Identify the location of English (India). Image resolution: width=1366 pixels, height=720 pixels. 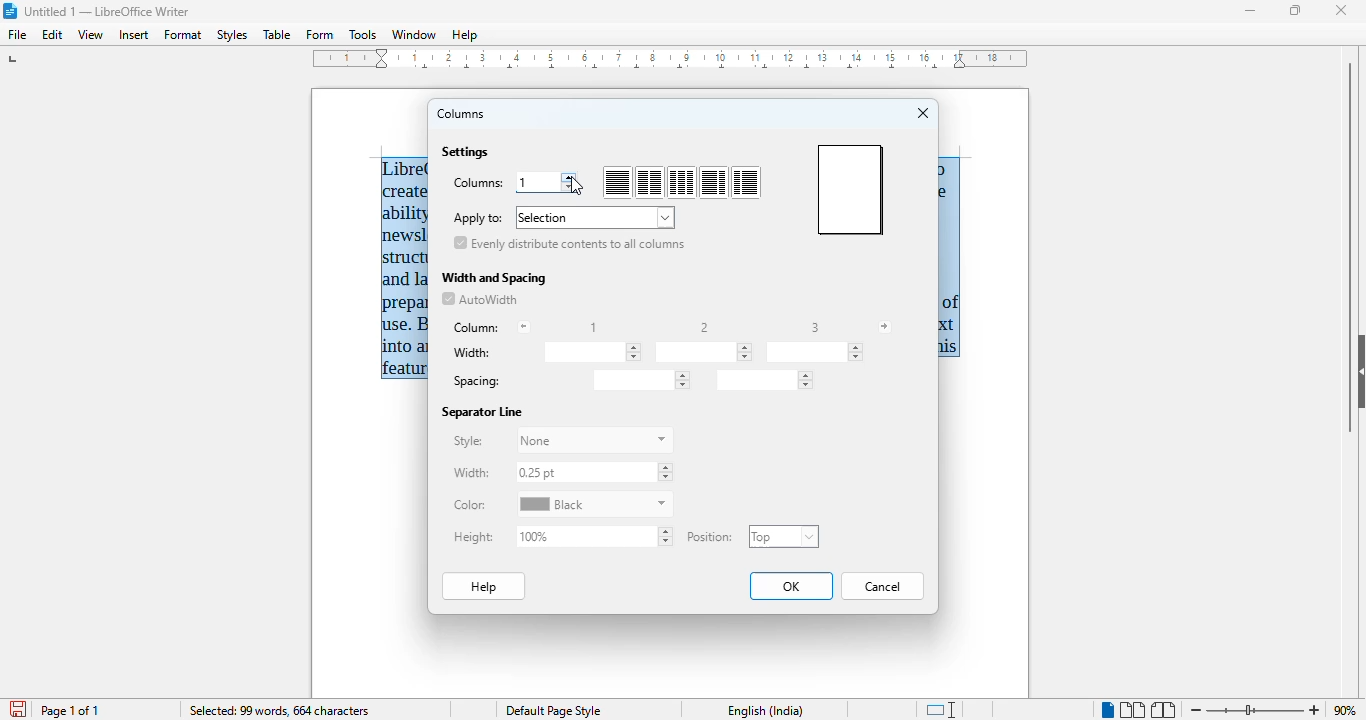
(766, 711).